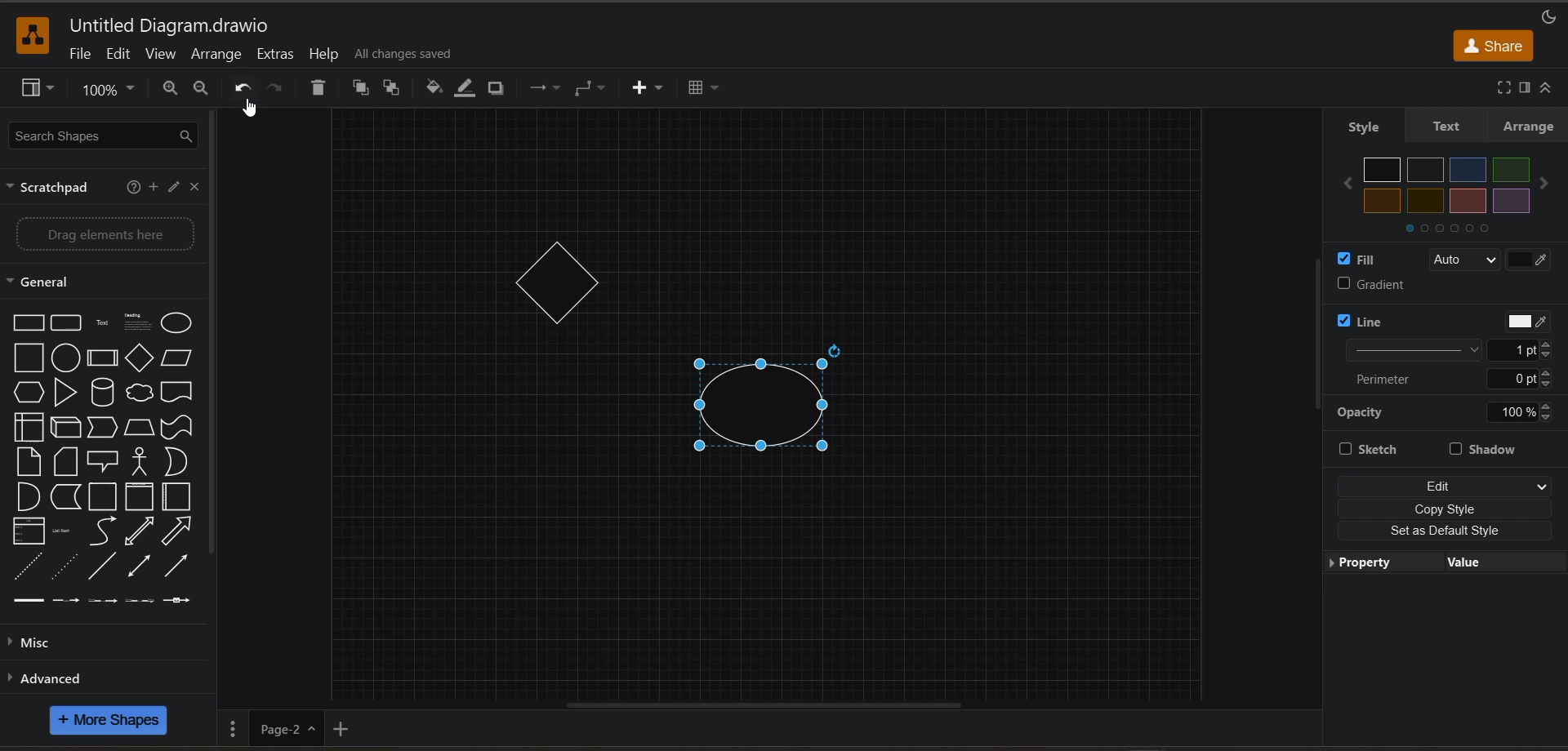  What do you see at coordinates (1450, 533) in the screenshot?
I see `set as default style` at bounding box center [1450, 533].